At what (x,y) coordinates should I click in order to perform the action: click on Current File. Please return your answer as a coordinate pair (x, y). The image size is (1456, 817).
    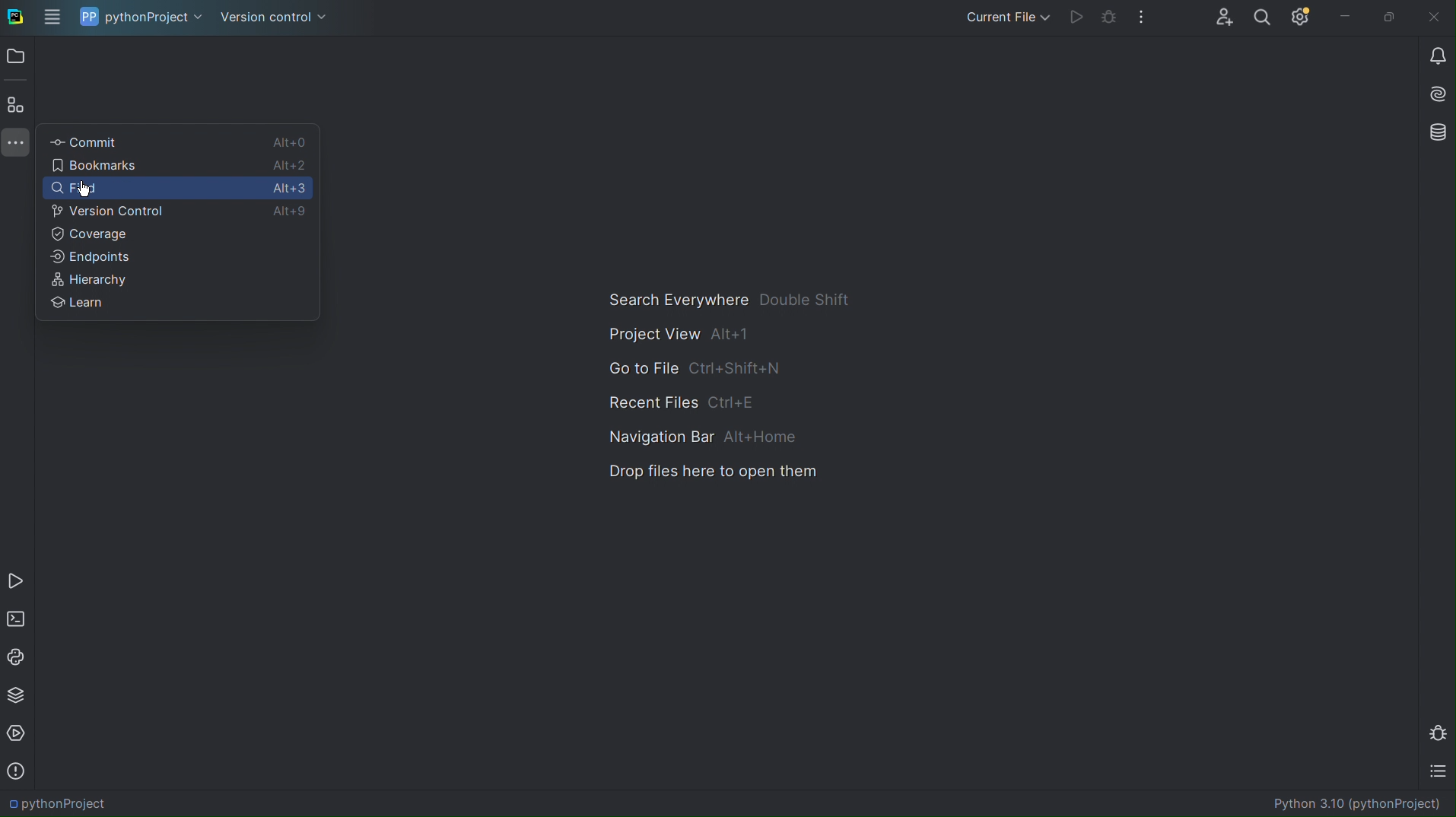
    Looking at the image, I should click on (1004, 19).